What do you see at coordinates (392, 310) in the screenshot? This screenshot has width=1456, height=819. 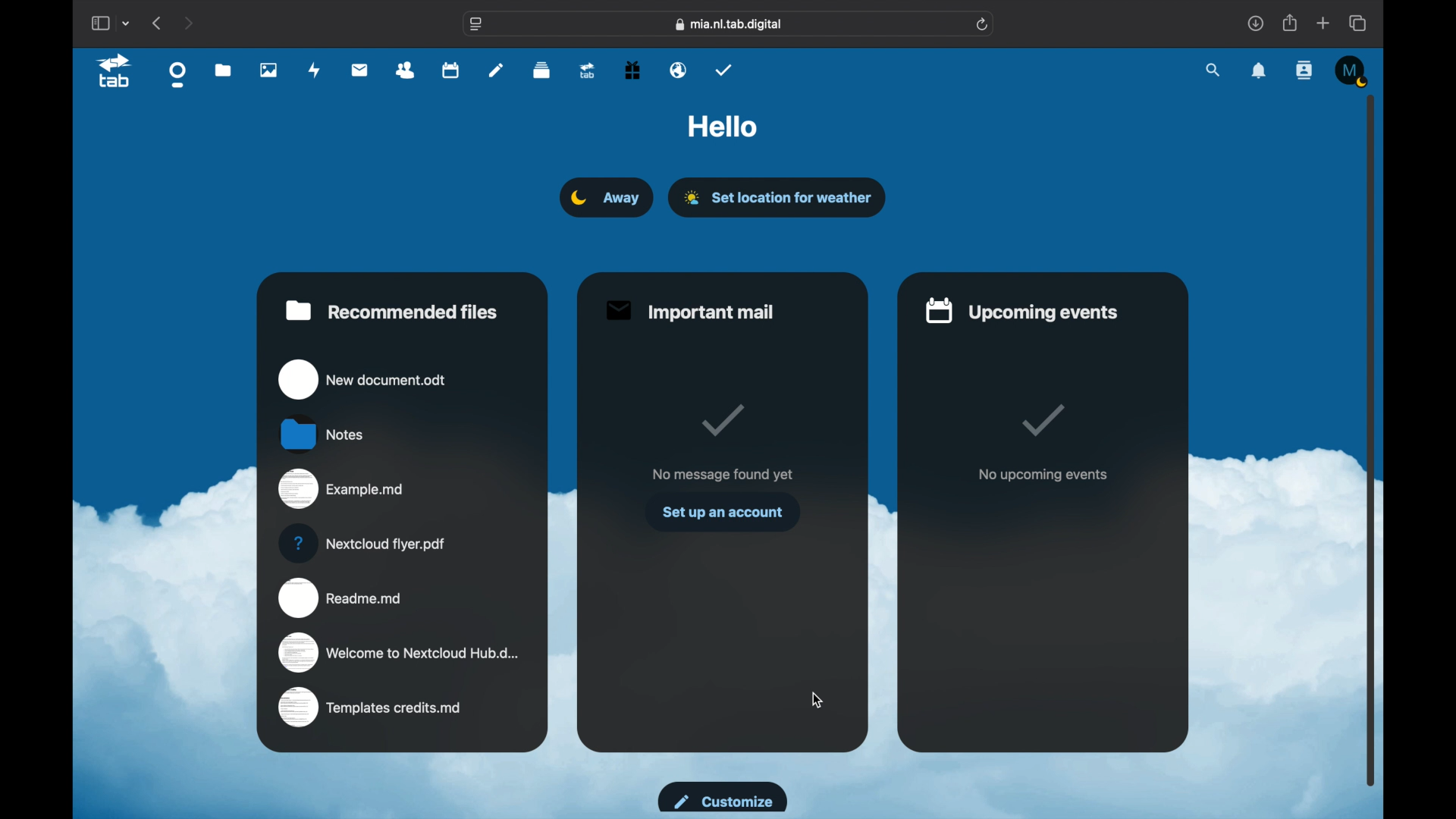 I see `recommended files` at bounding box center [392, 310].